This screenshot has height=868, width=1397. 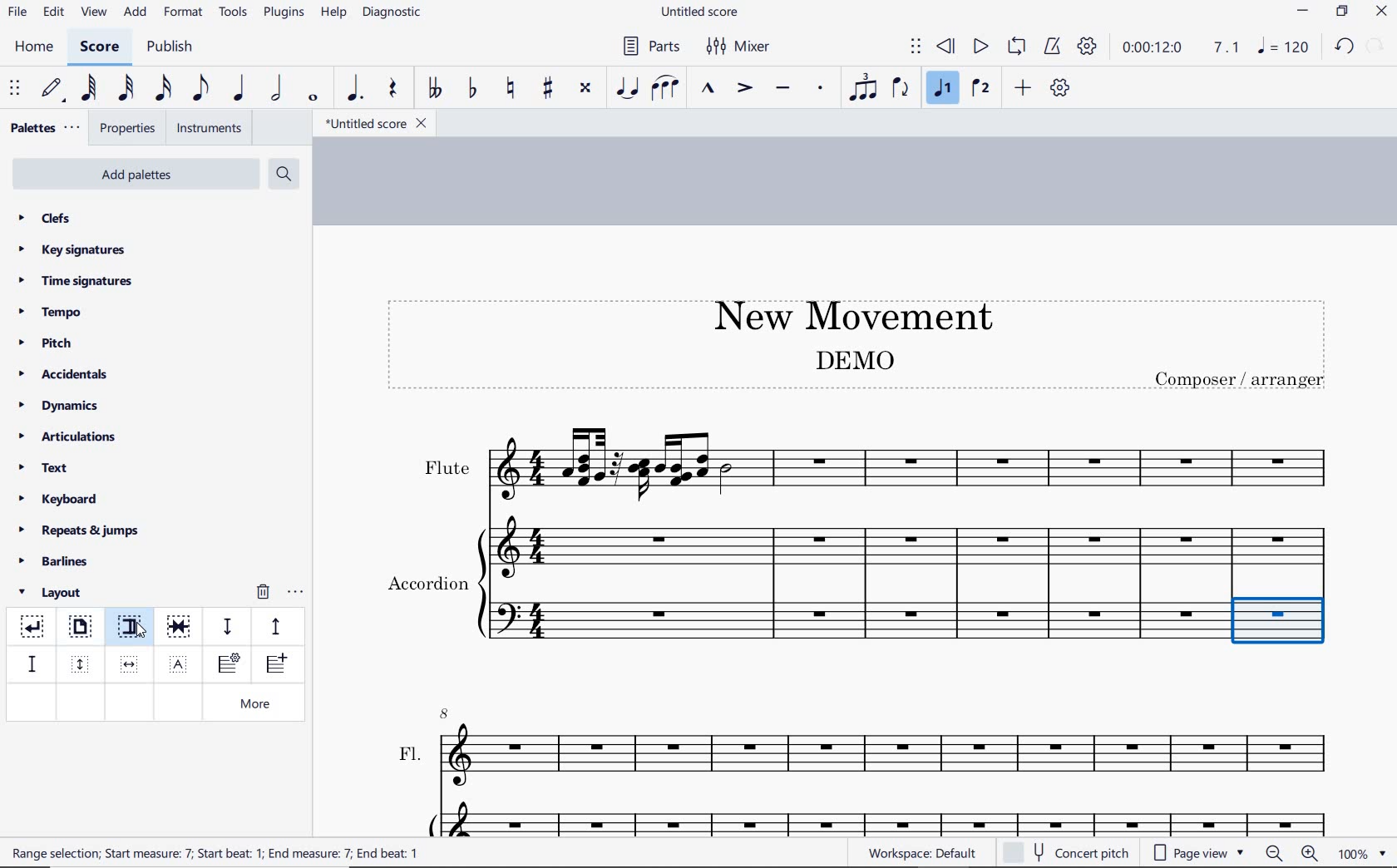 I want to click on more, so click(x=259, y=705).